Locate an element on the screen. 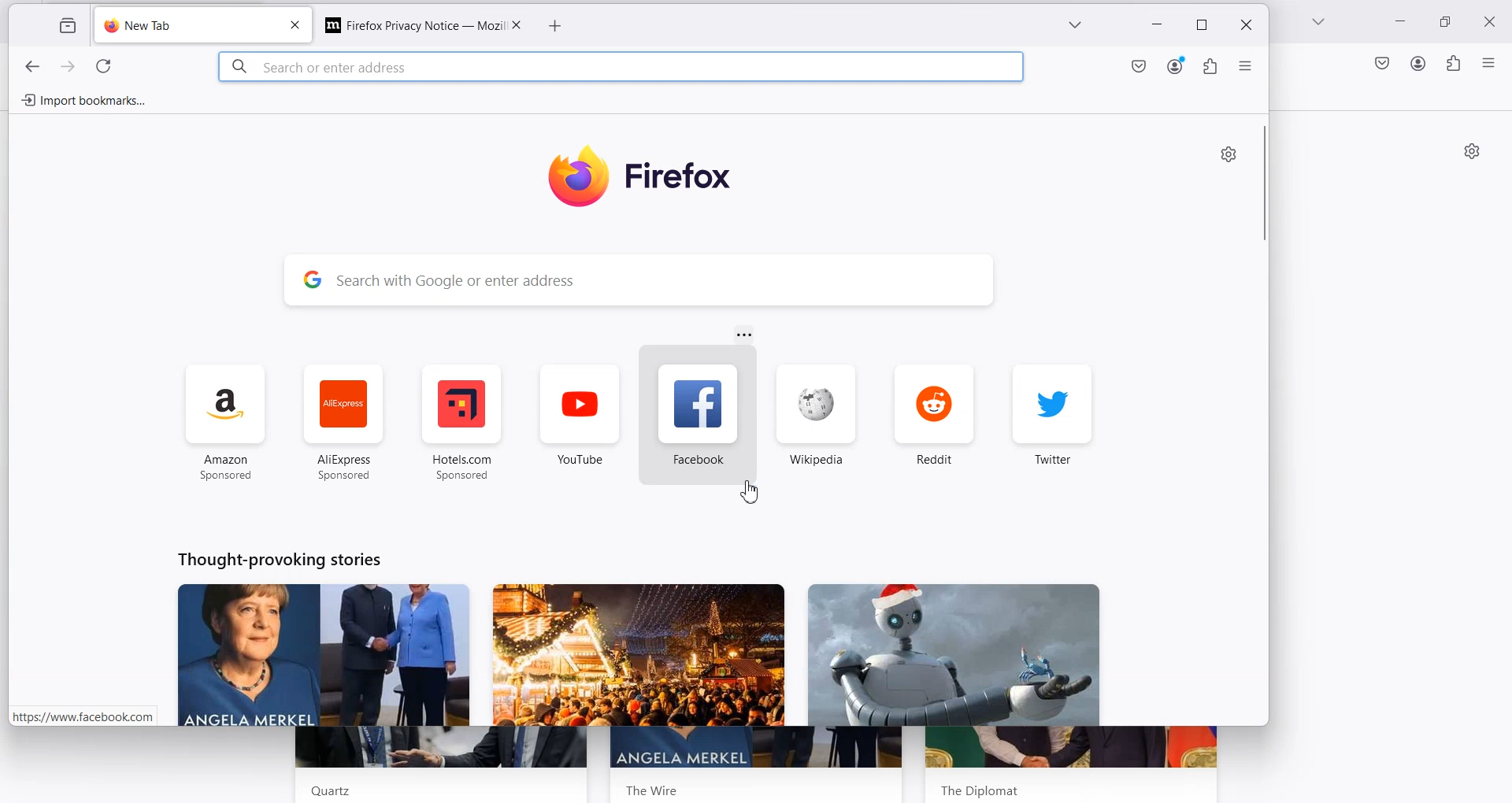  More is located at coordinates (745, 335).